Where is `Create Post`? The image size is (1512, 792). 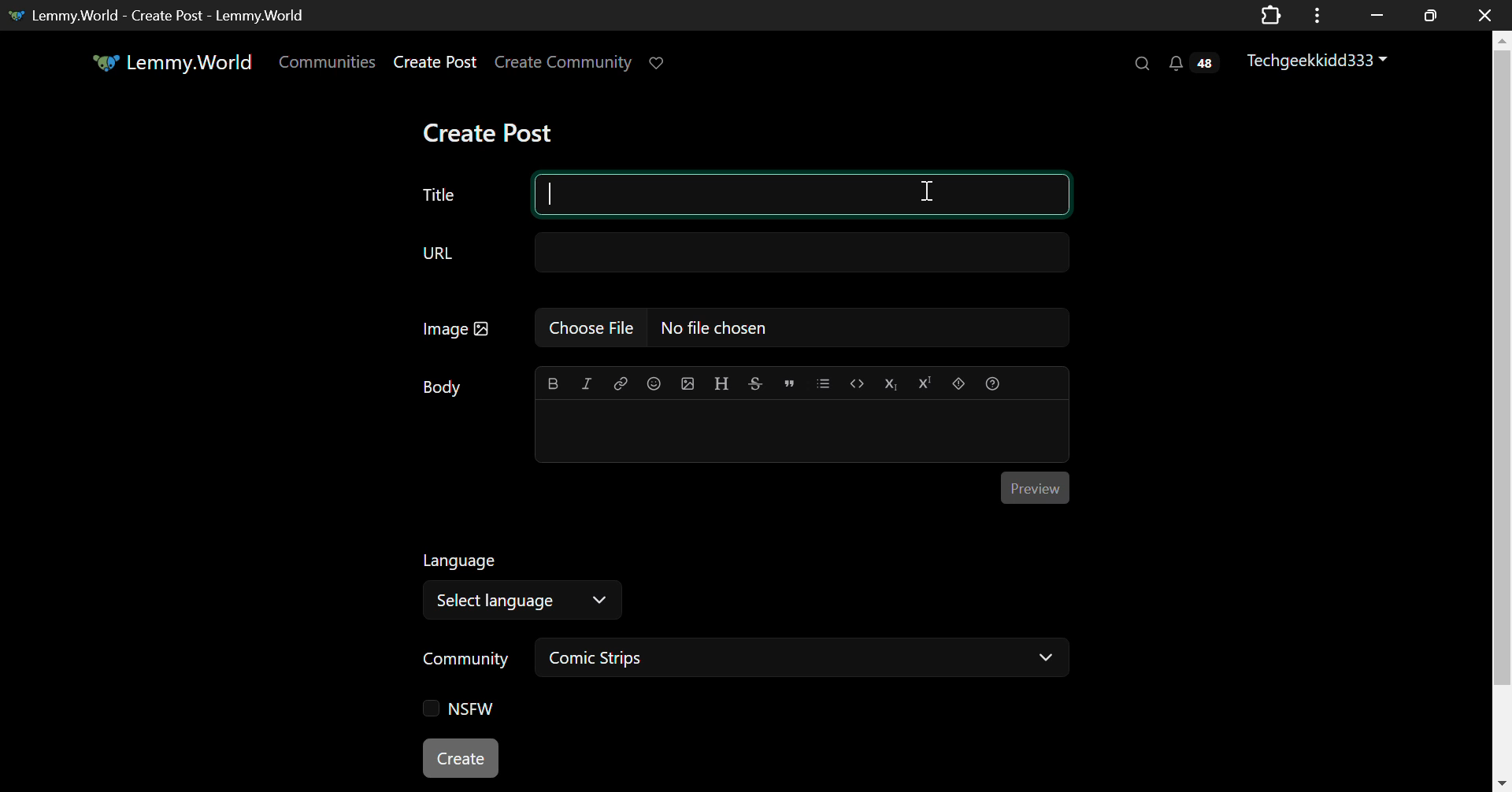 Create Post is located at coordinates (495, 132).